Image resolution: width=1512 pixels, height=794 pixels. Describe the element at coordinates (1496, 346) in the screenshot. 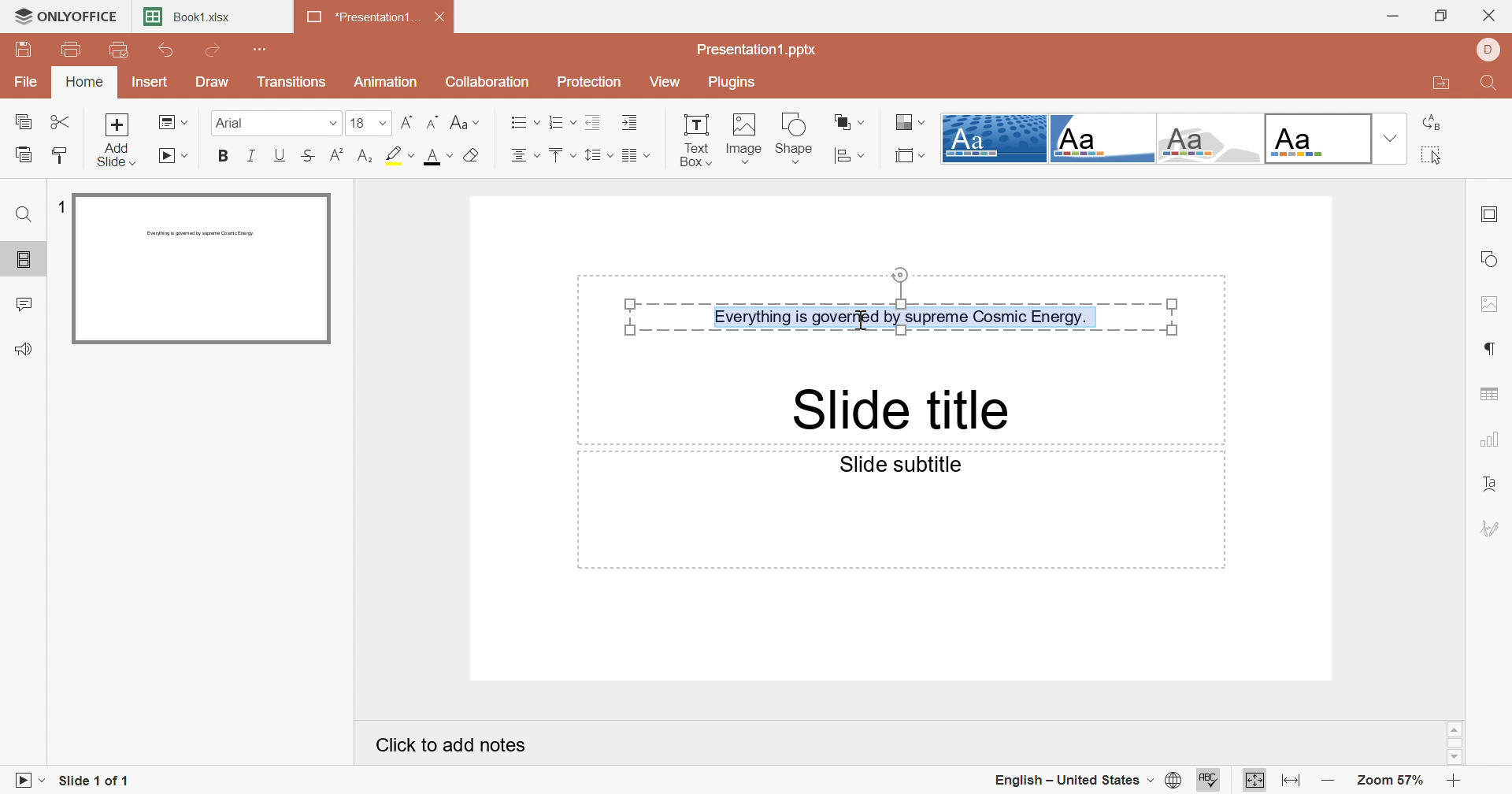

I see `Paragraph settings` at that location.